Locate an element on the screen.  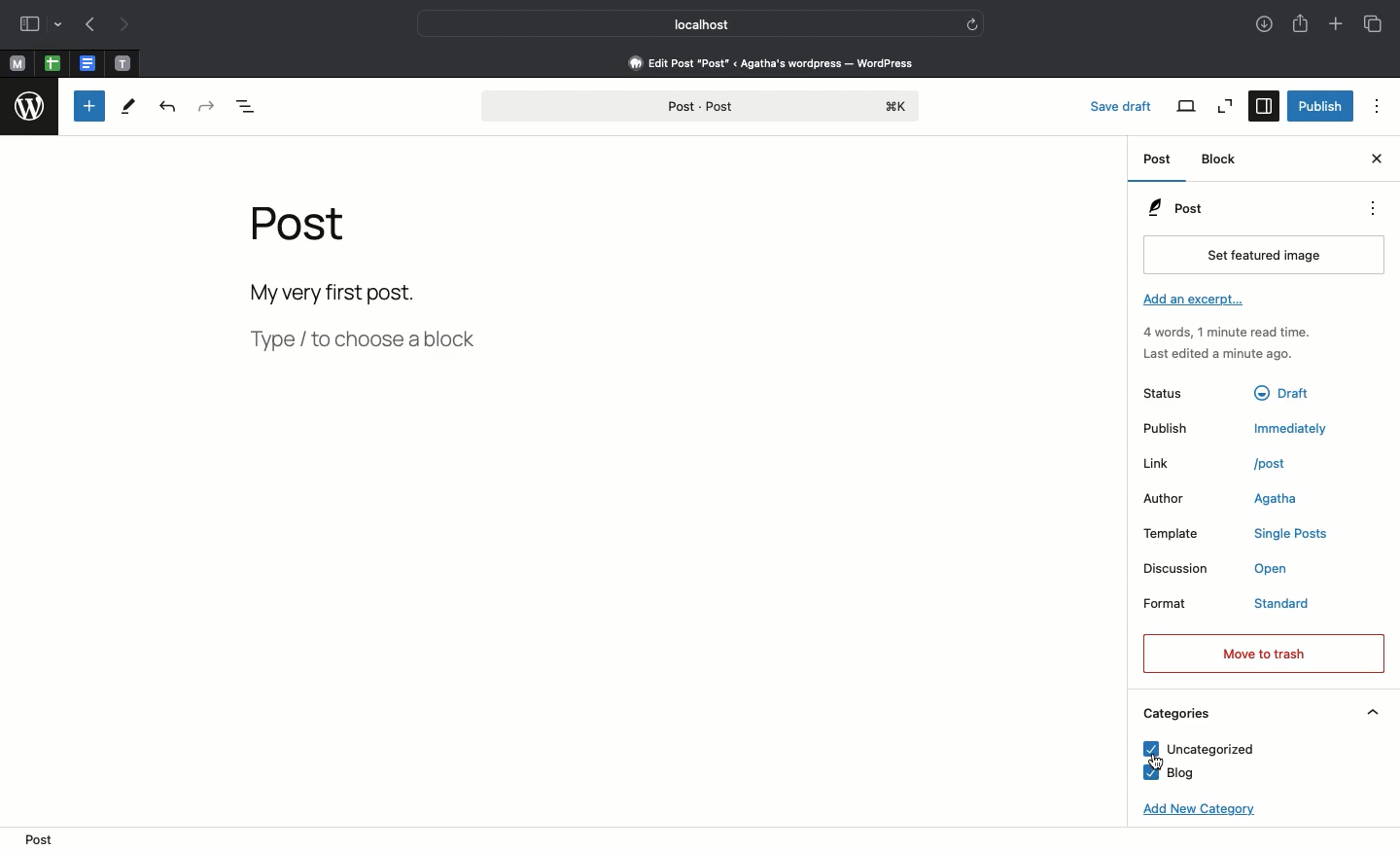
Post is located at coordinates (1158, 159).